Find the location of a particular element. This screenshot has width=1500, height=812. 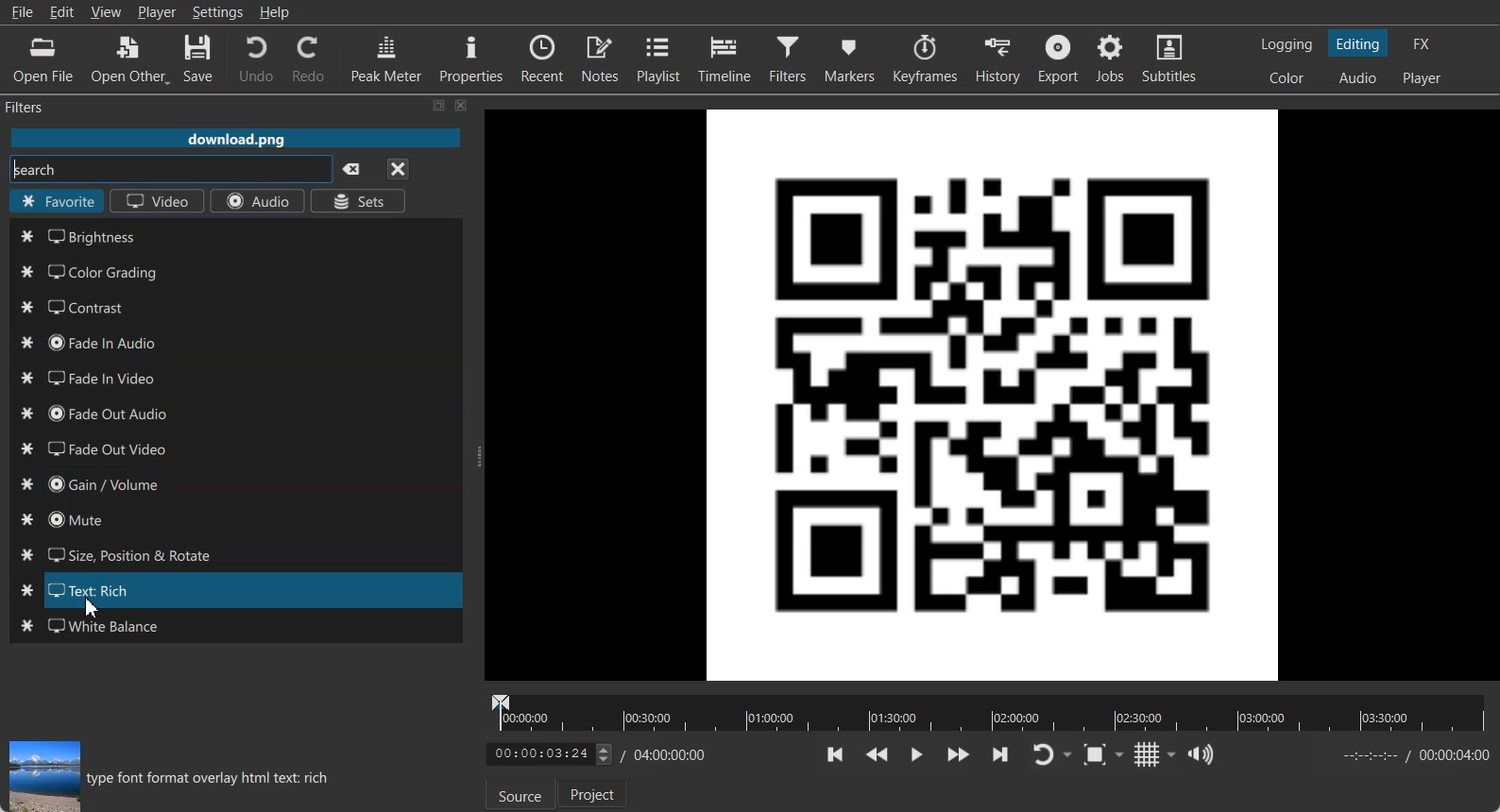

File is located at coordinates (235, 140).